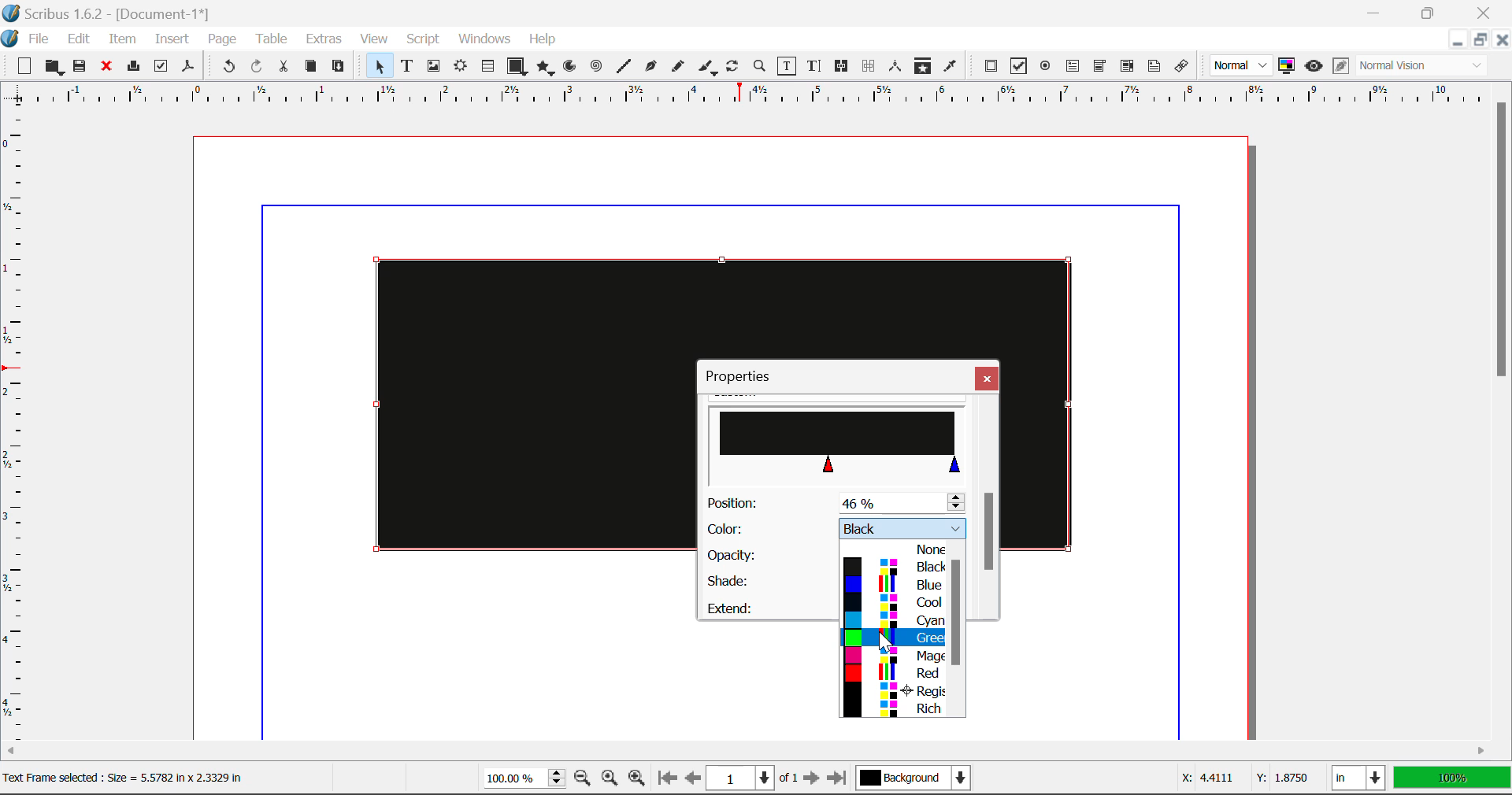  I want to click on Copy Item Properties, so click(922, 68).